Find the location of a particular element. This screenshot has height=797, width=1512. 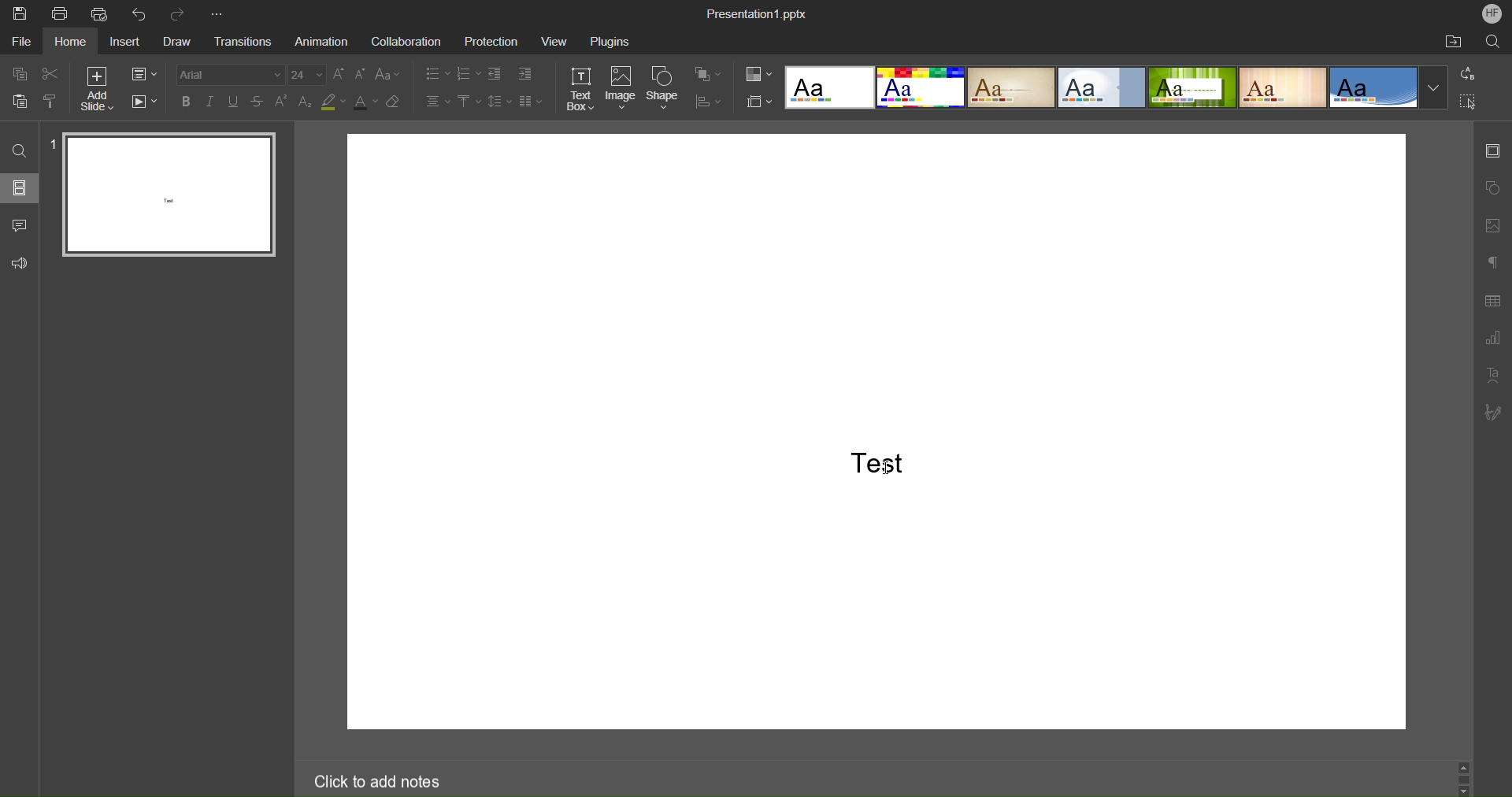

Insert is located at coordinates (129, 42).